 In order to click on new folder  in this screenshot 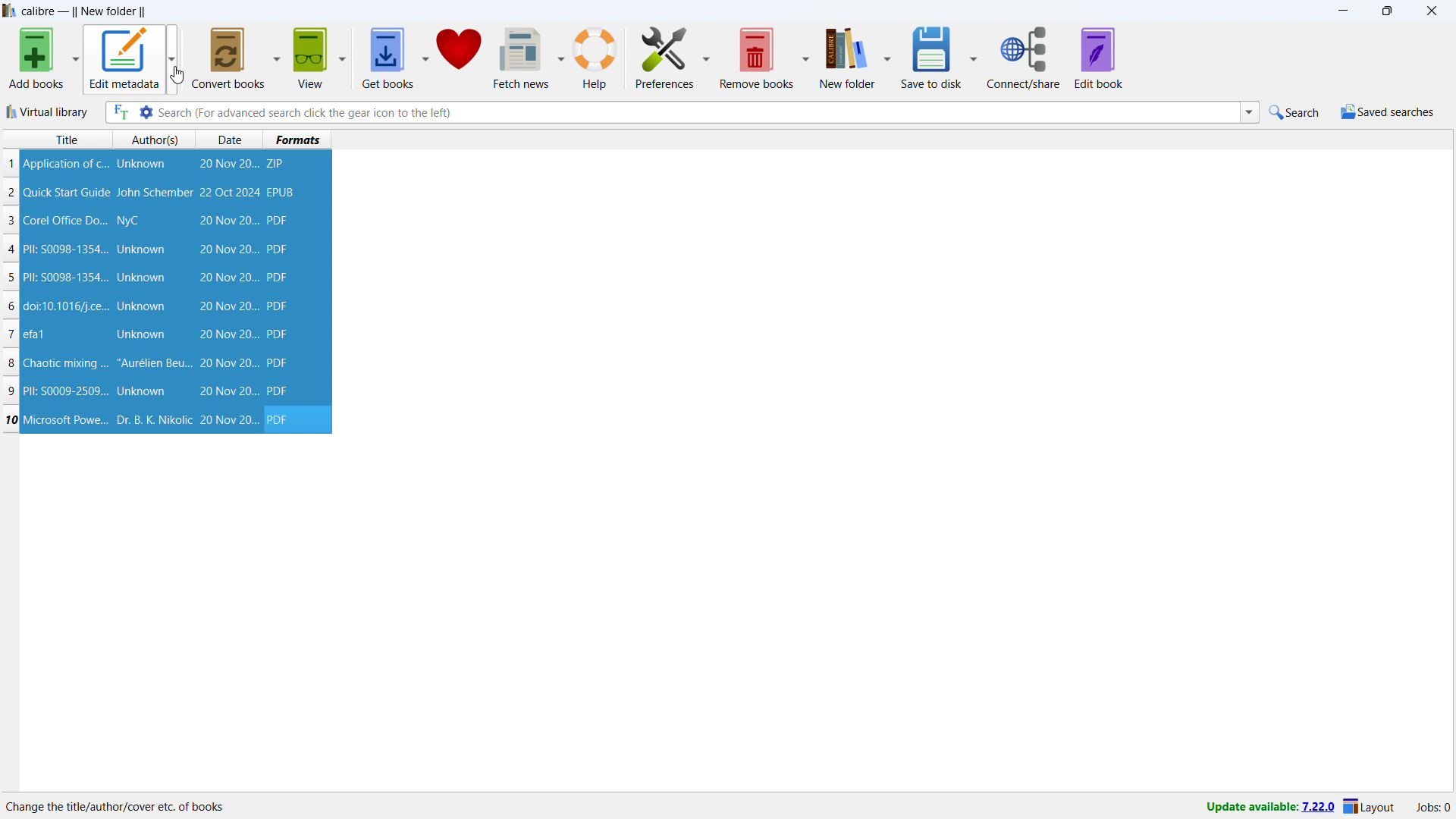, I will do `click(848, 56)`.